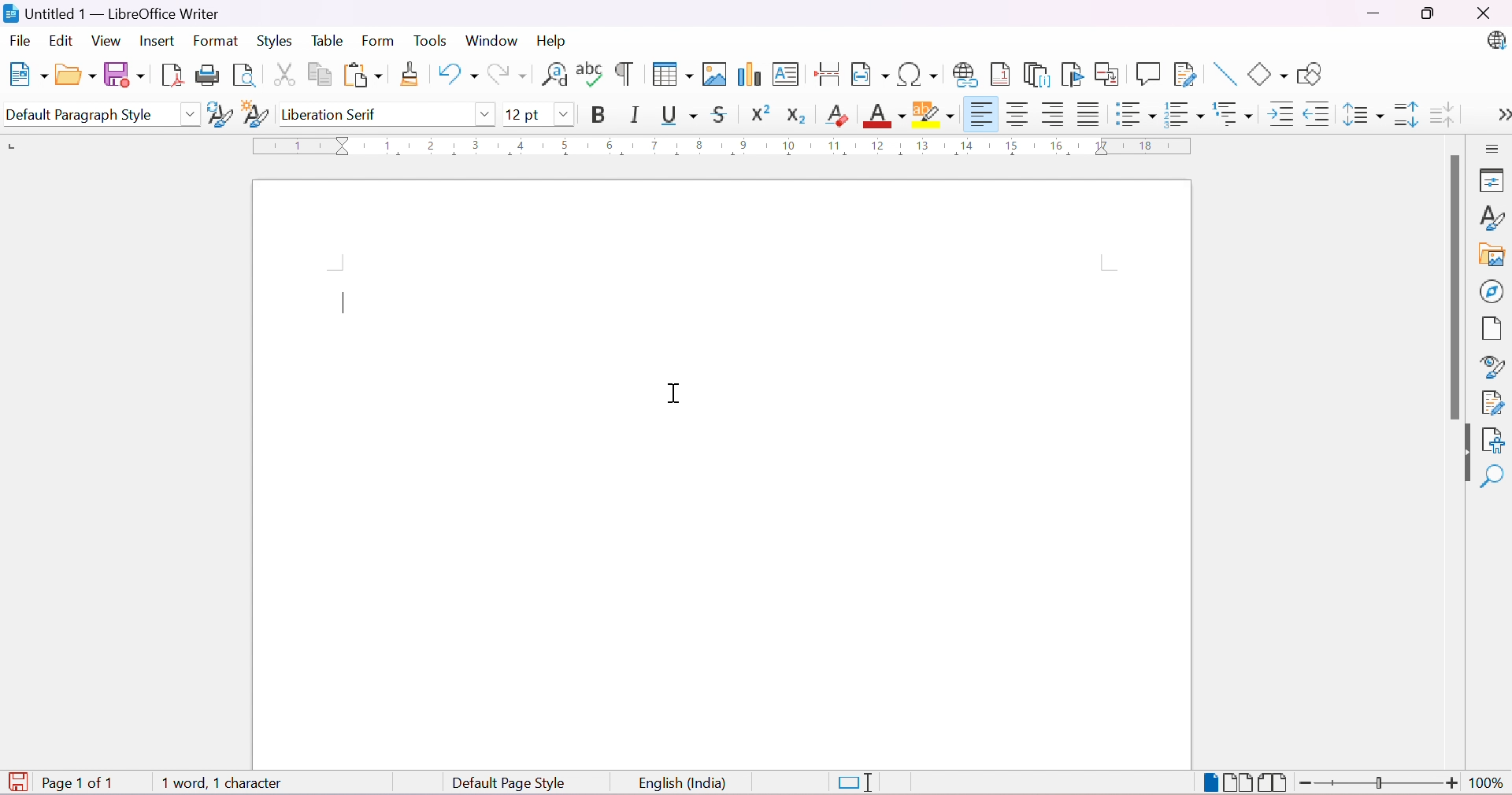 The image size is (1512, 795). What do you see at coordinates (377, 42) in the screenshot?
I see `Form` at bounding box center [377, 42].